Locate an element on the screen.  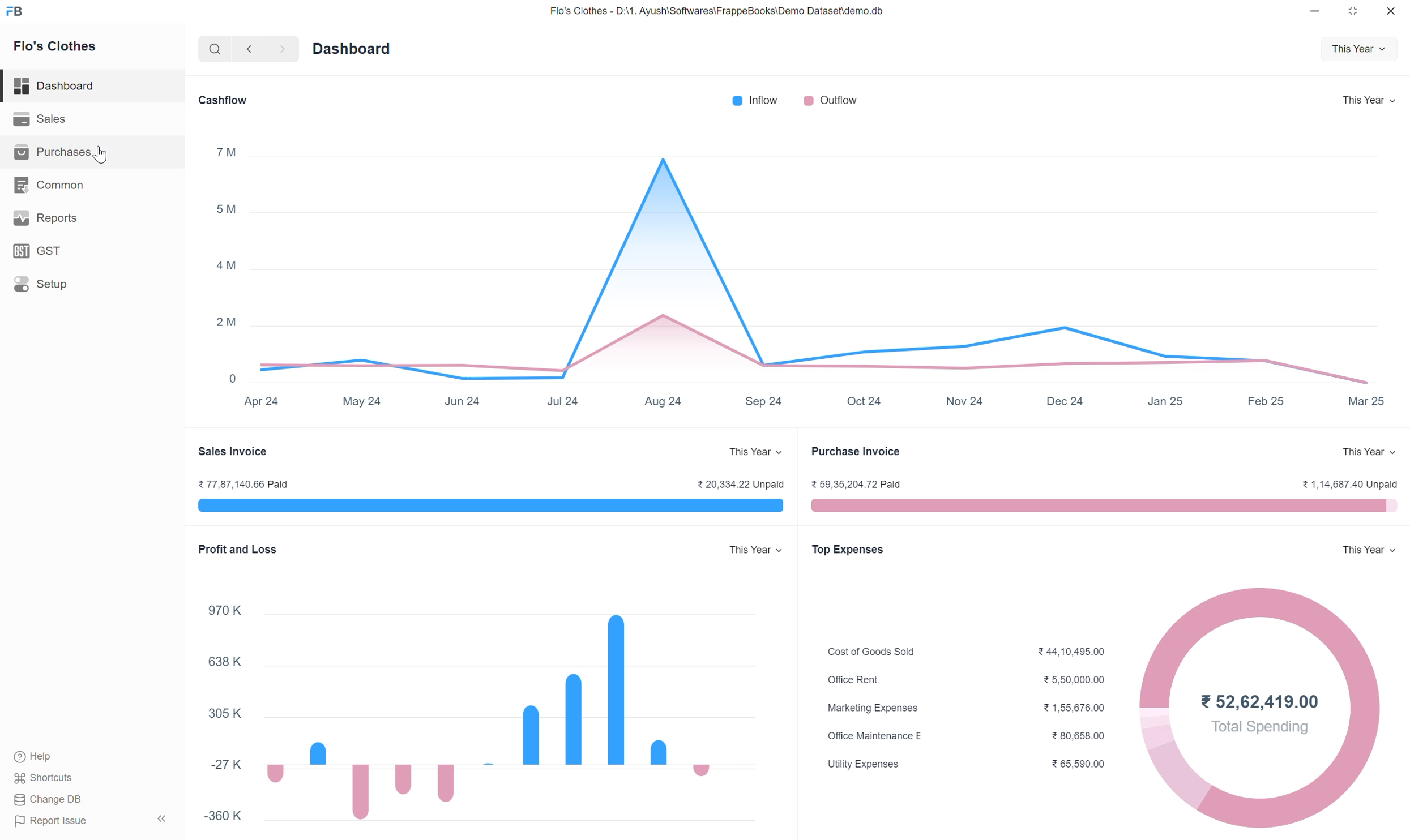
this year is located at coordinates (1362, 47).